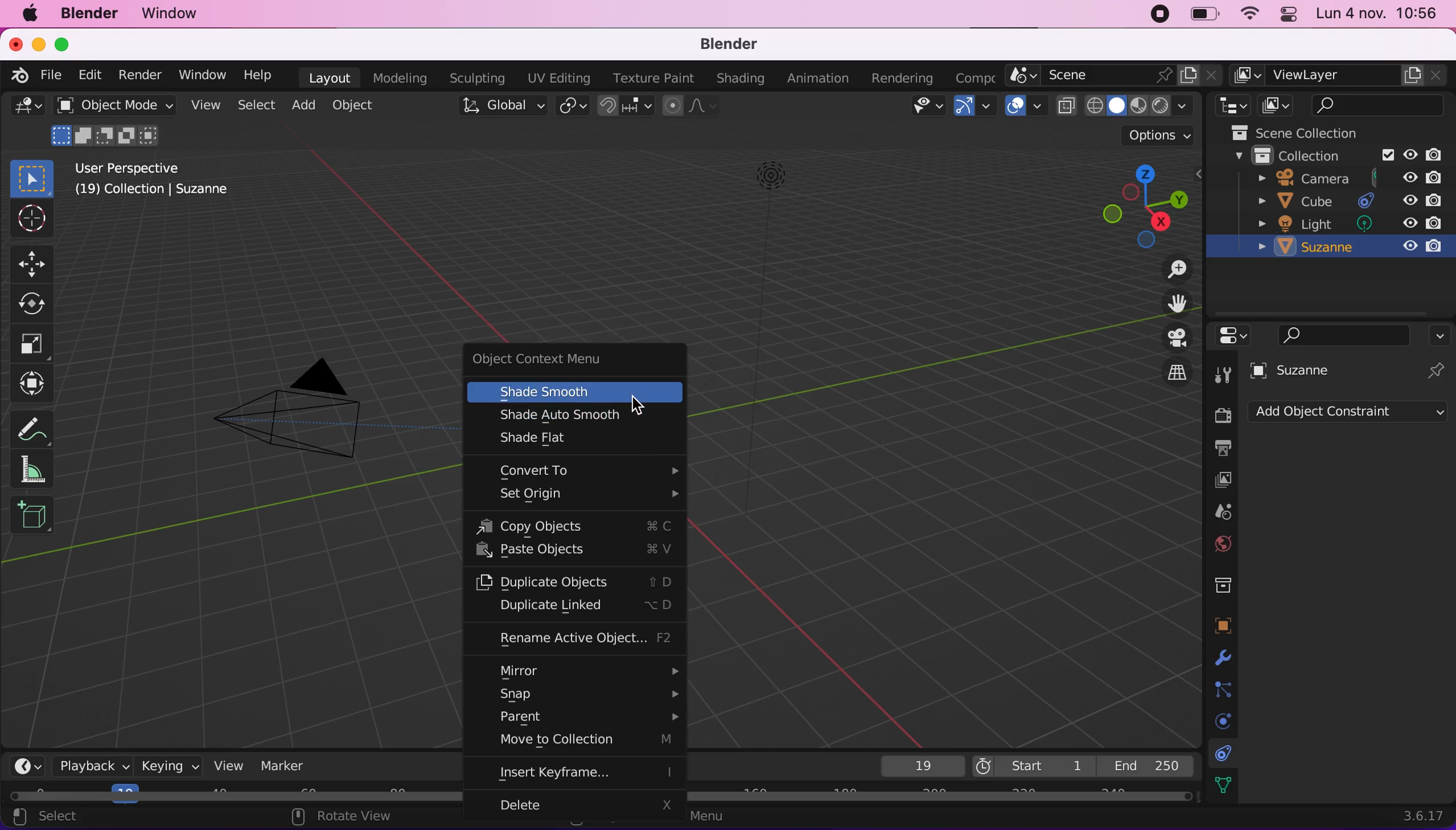 This screenshot has height=830, width=1456. What do you see at coordinates (355, 105) in the screenshot?
I see `object` at bounding box center [355, 105].